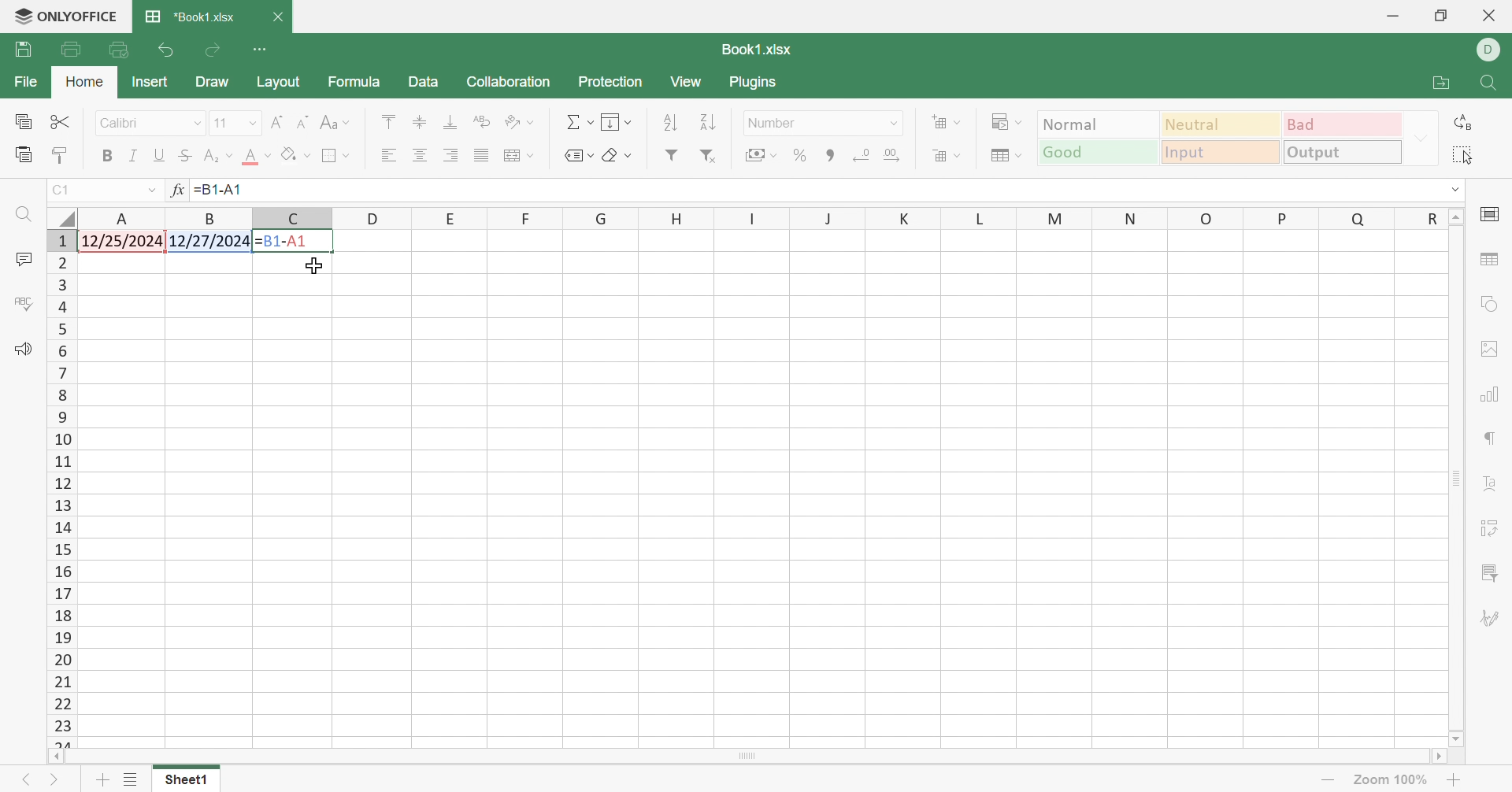 The image size is (1512, 792). Describe the element at coordinates (862, 153) in the screenshot. I see `Delete decimal` at that location.